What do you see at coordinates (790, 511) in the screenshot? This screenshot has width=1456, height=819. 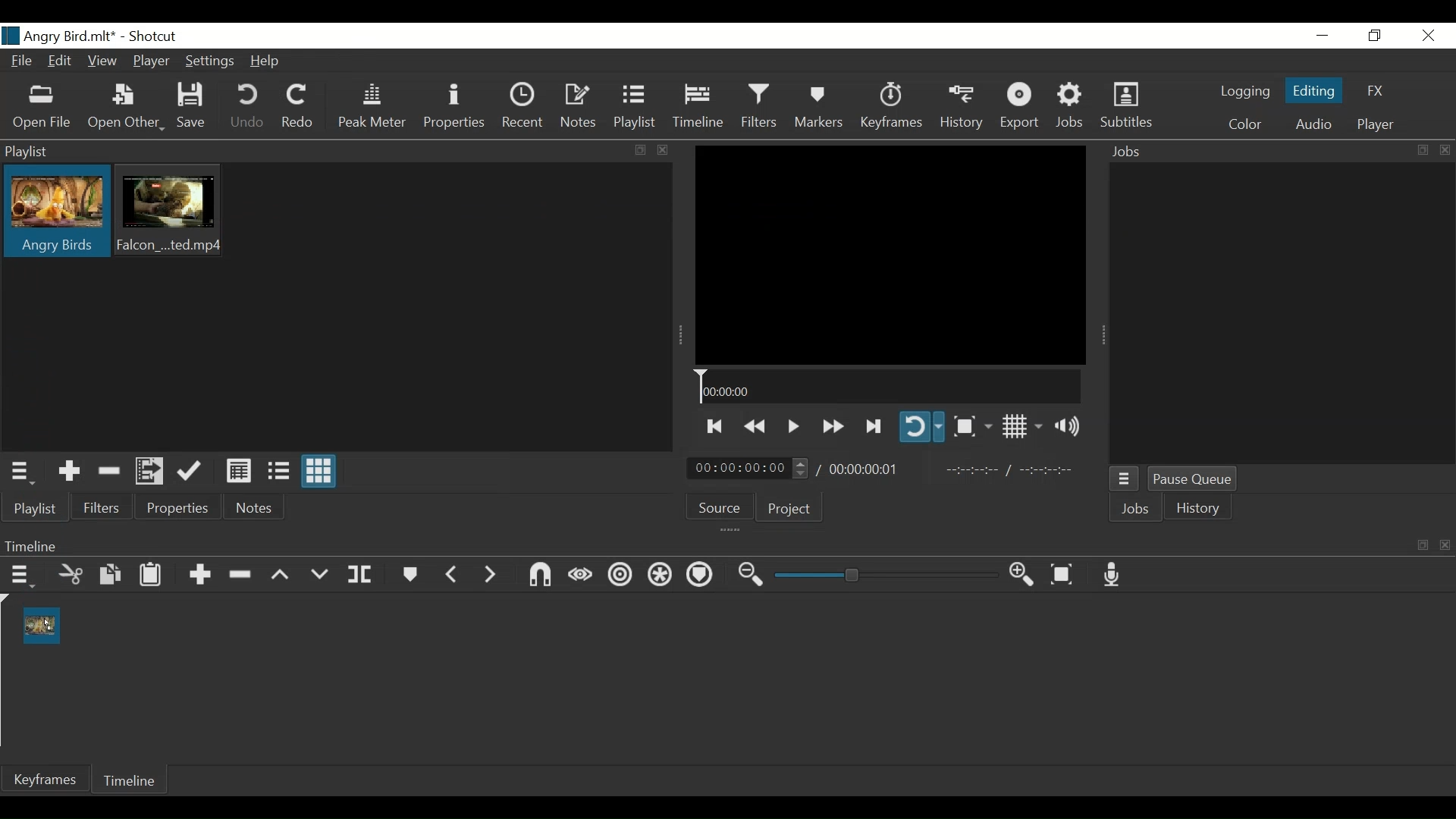 I see `Project` at bounding box center [790, 511].